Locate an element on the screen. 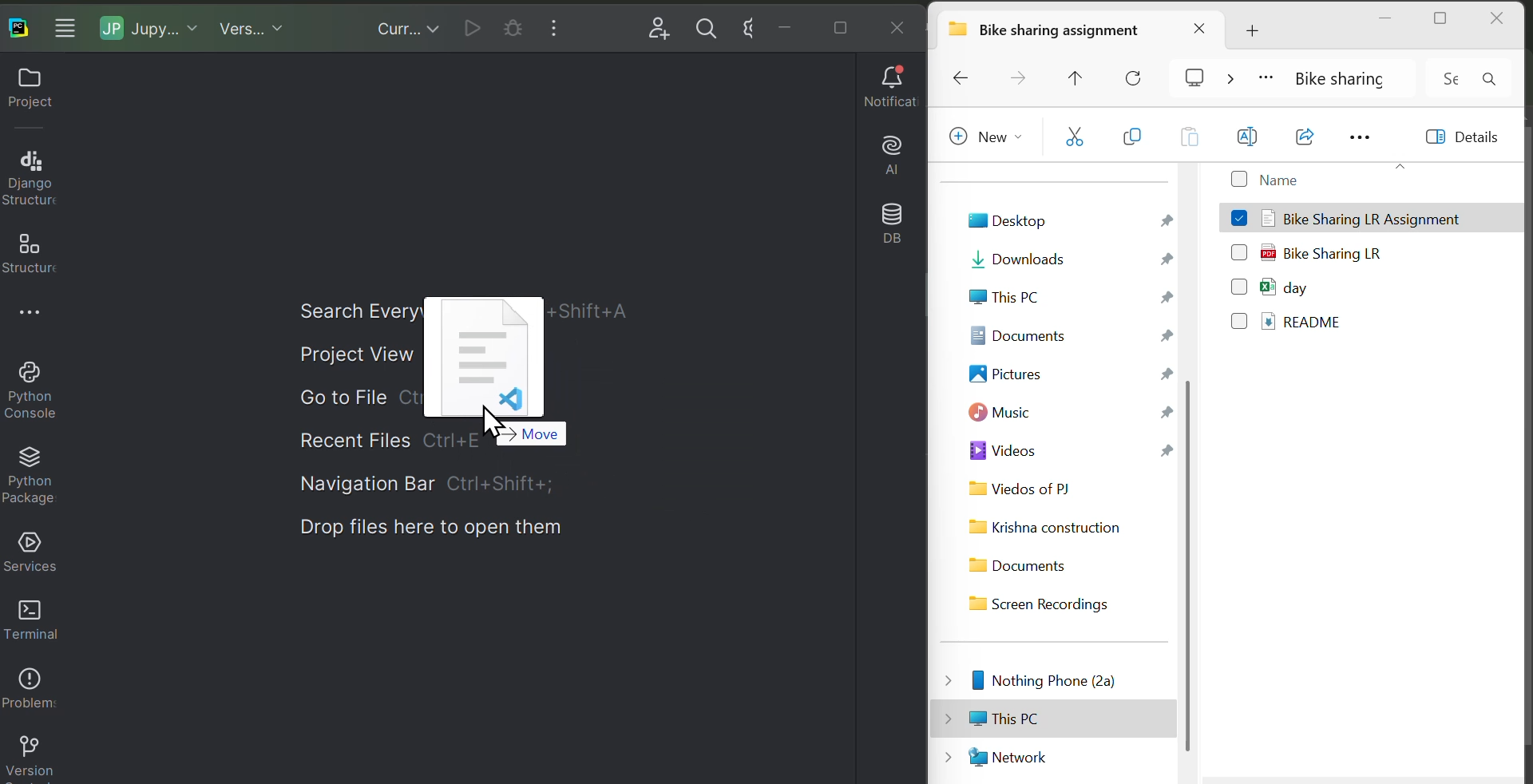 This screenshot has width=1533, height=784. Documents is located at coordinates (1040, 563).